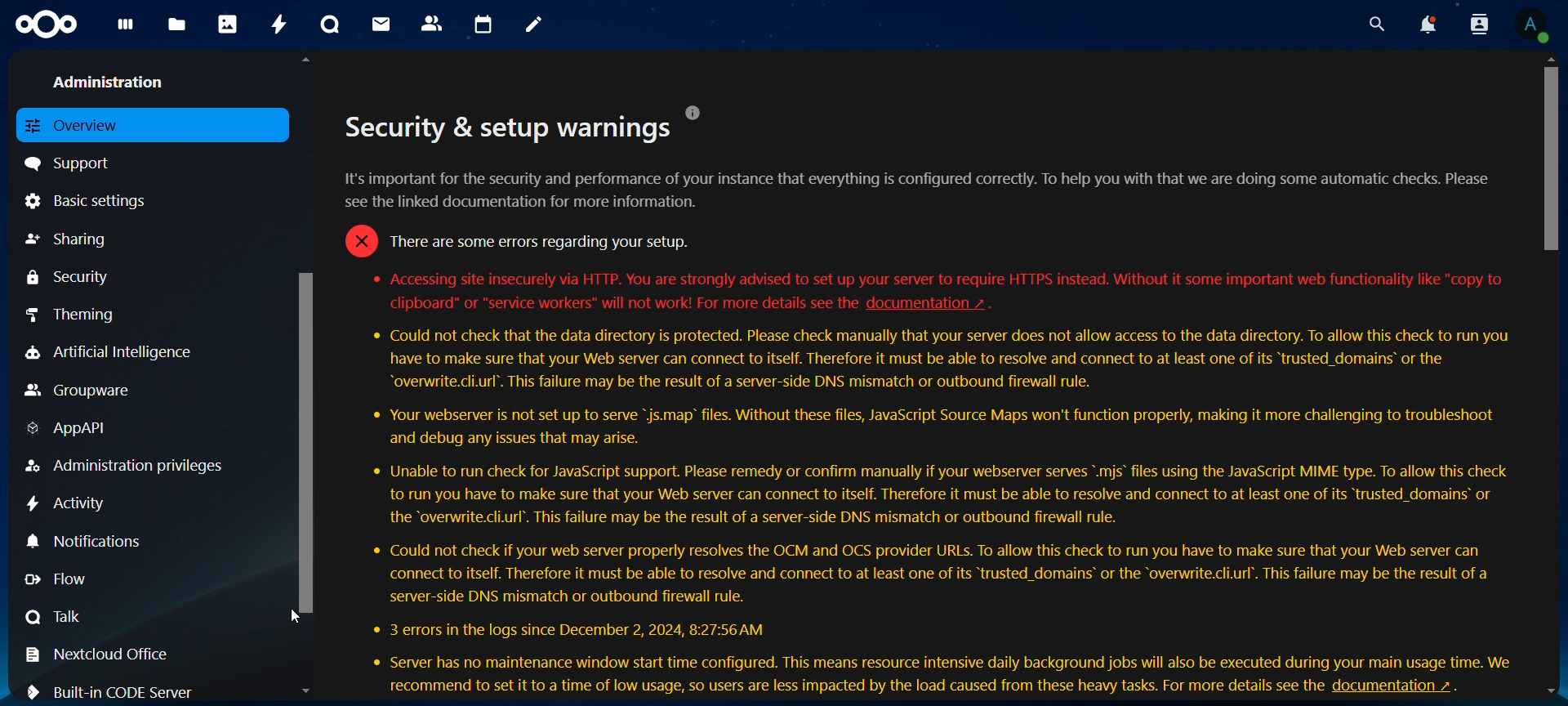 The height and width of the screenshot is (706, 1568). Describe the element at coordinates (69, 579) in the screenshot. I see `flow` at that location.